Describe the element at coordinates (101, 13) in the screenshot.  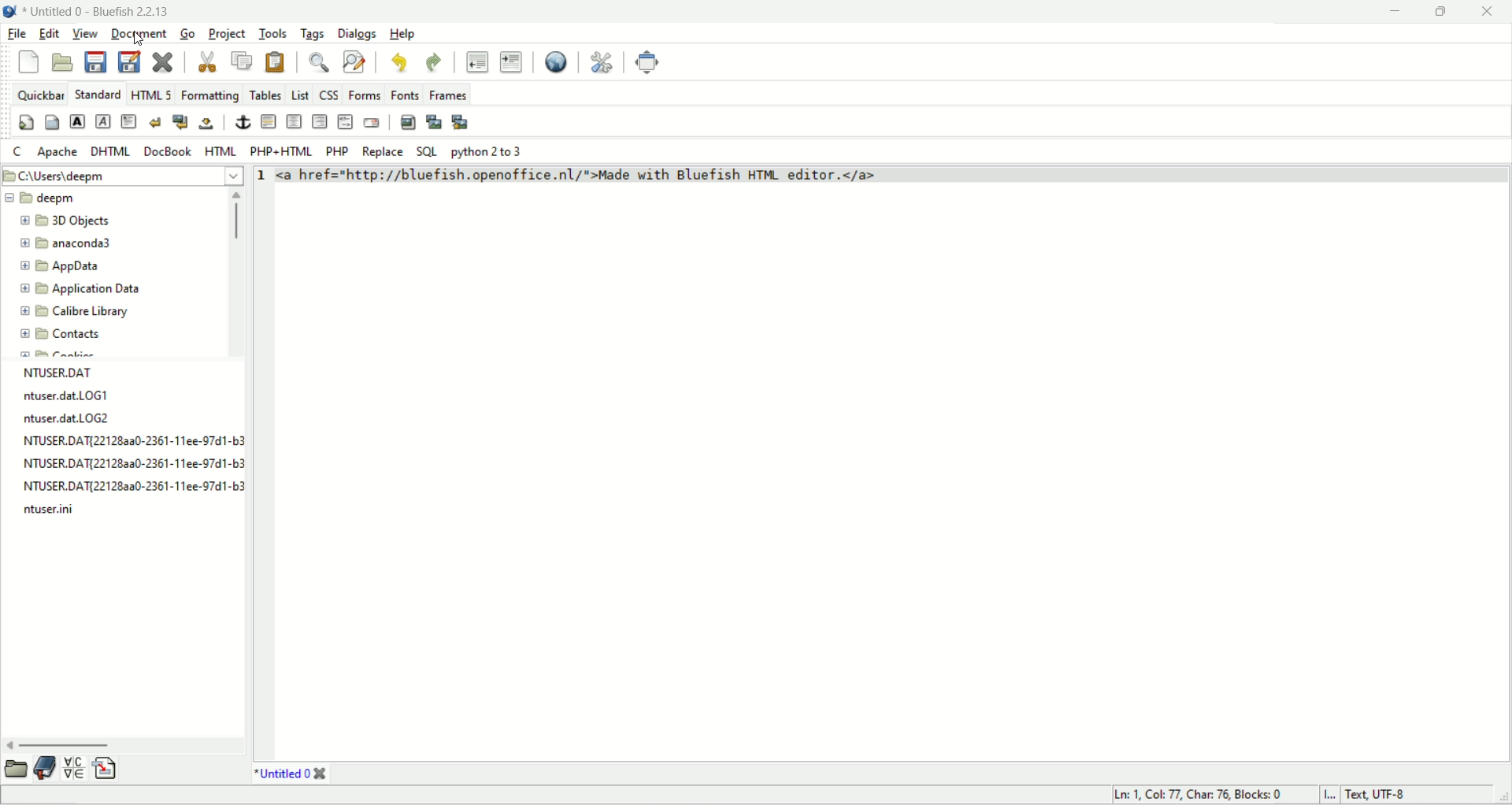
I see `title` at that location.